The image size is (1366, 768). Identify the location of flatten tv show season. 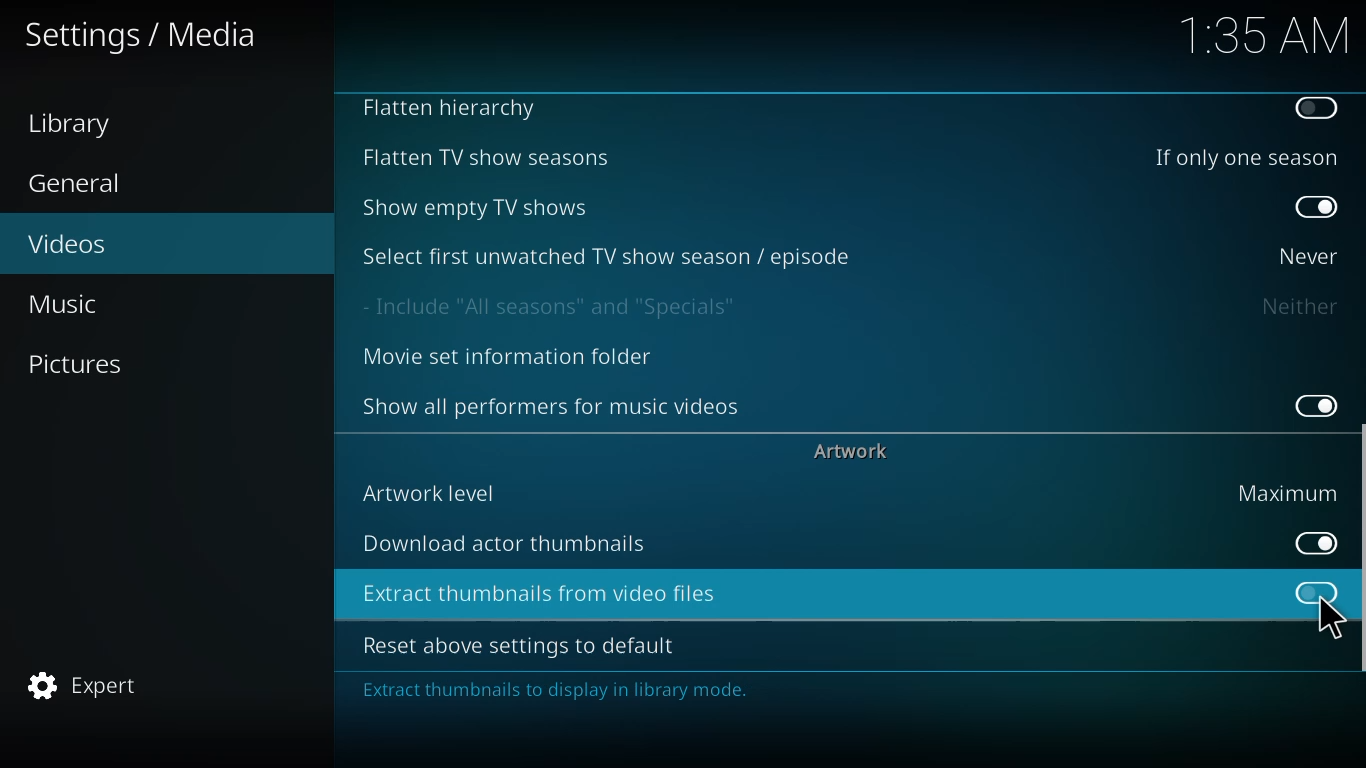
(483, 157).